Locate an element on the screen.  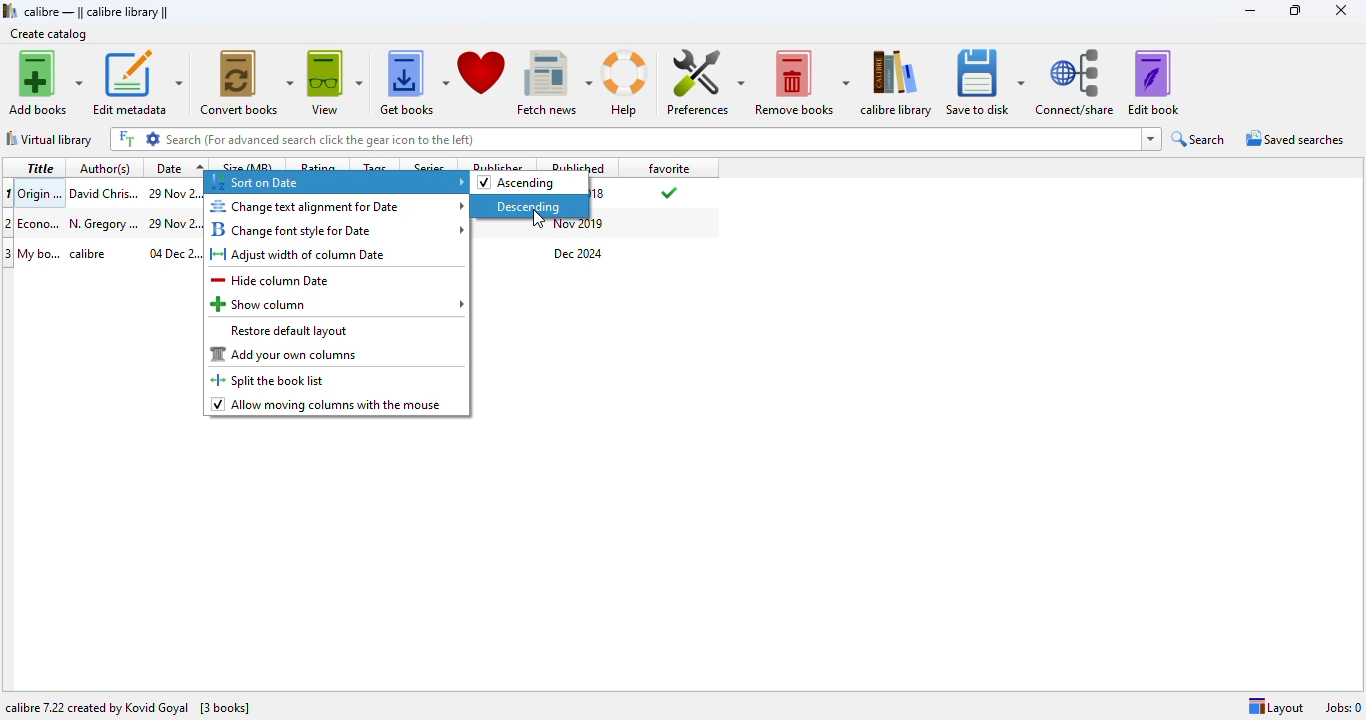
series is located at coordinates (431, 165).